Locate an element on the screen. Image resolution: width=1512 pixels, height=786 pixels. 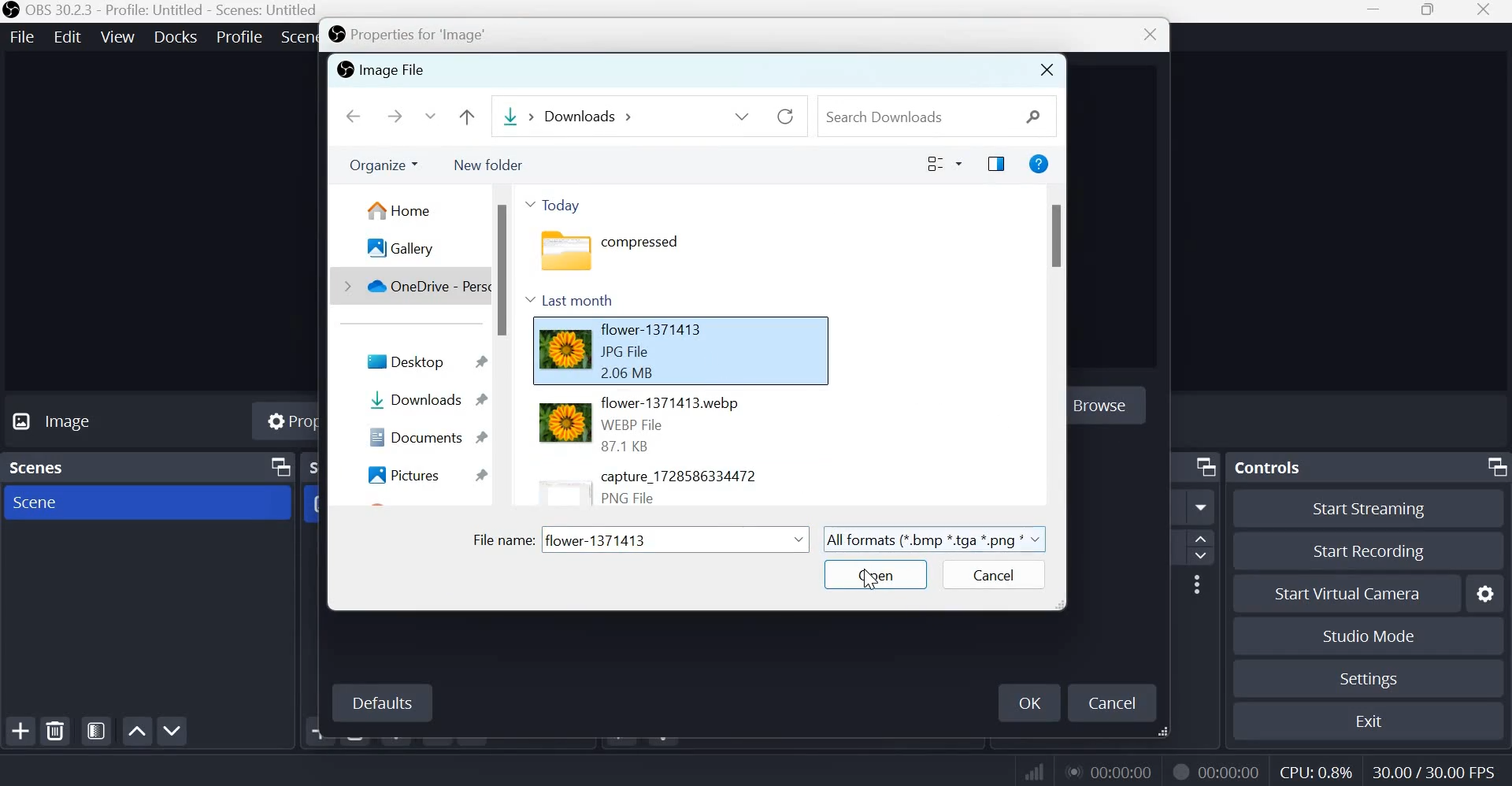
Exit is located at coordinates (1370, 719).